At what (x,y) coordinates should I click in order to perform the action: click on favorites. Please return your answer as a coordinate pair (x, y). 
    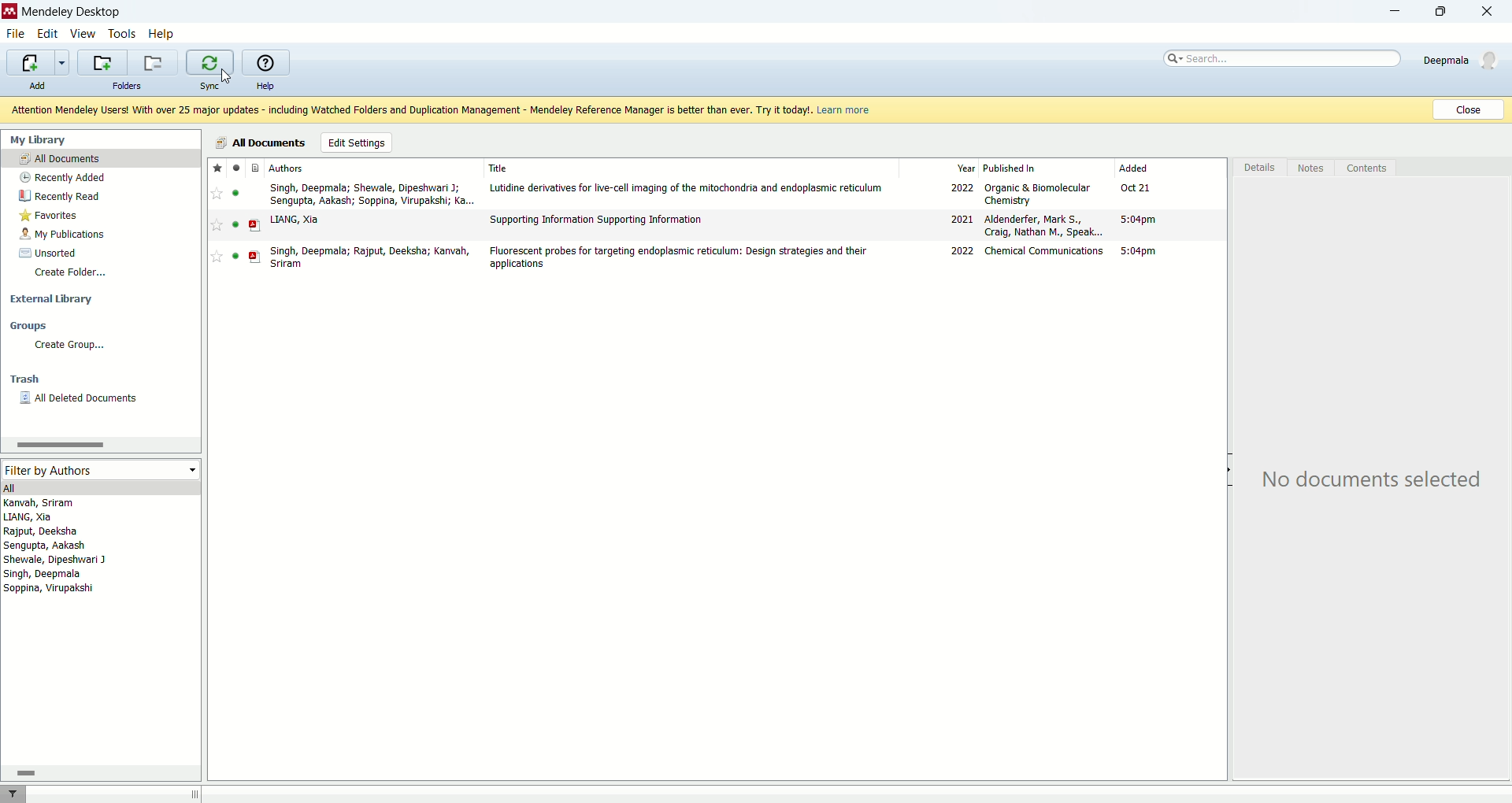
    Looking at the image, I should click on (50, 216).